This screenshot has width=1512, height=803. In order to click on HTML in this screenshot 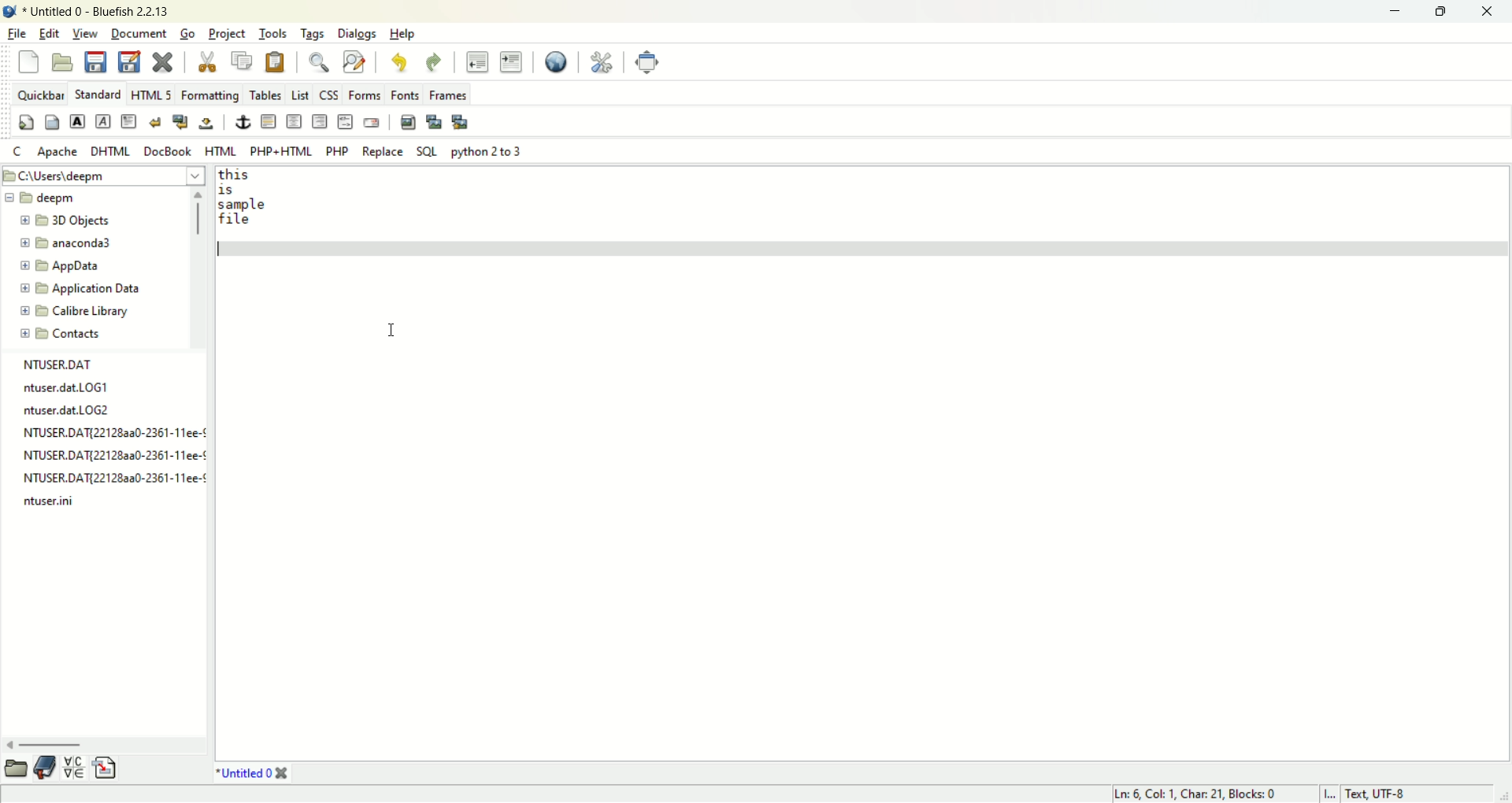, I will do `click(219, 152)`.